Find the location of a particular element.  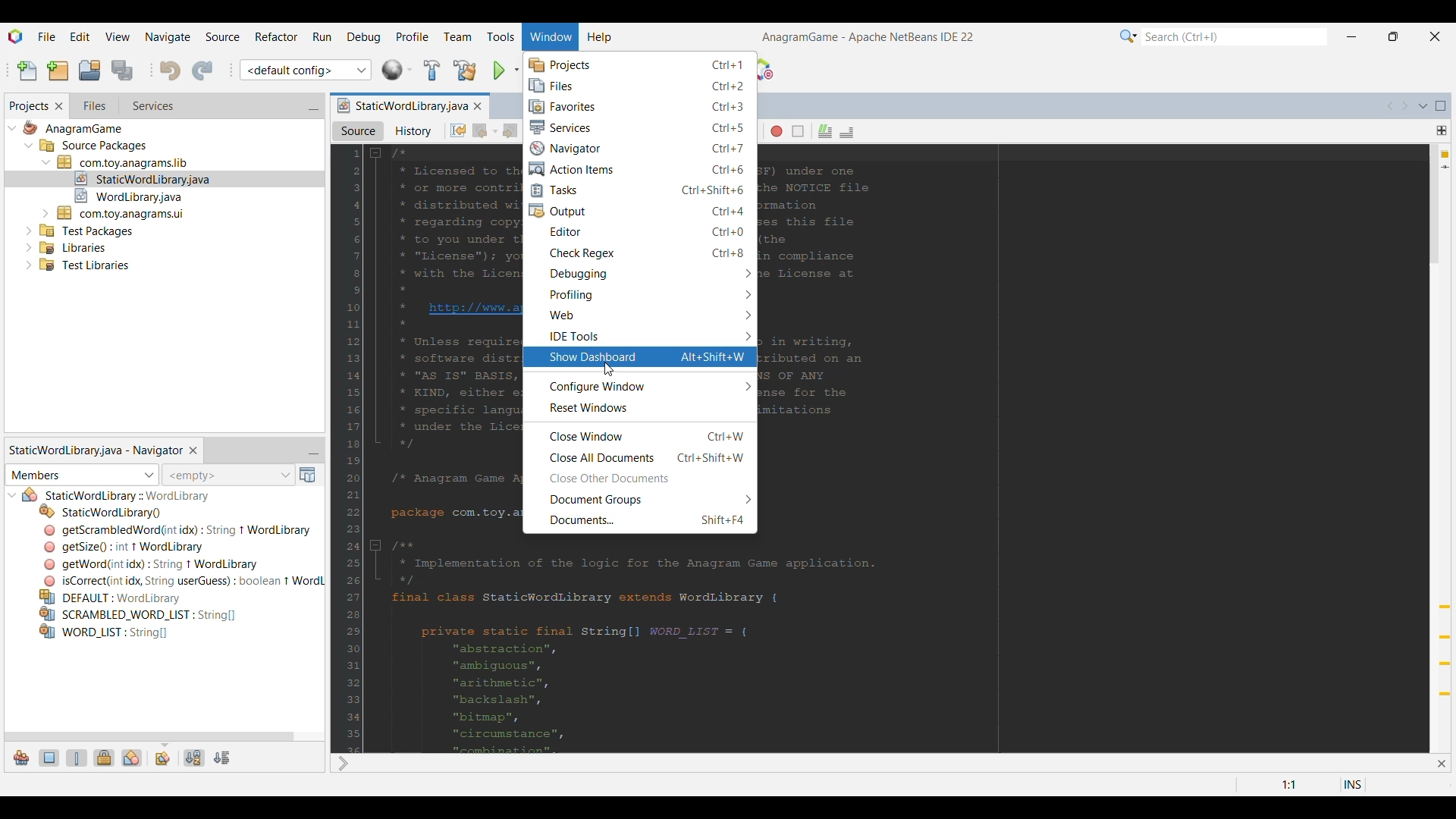

Sort by source is located at coordinates (222, 758).